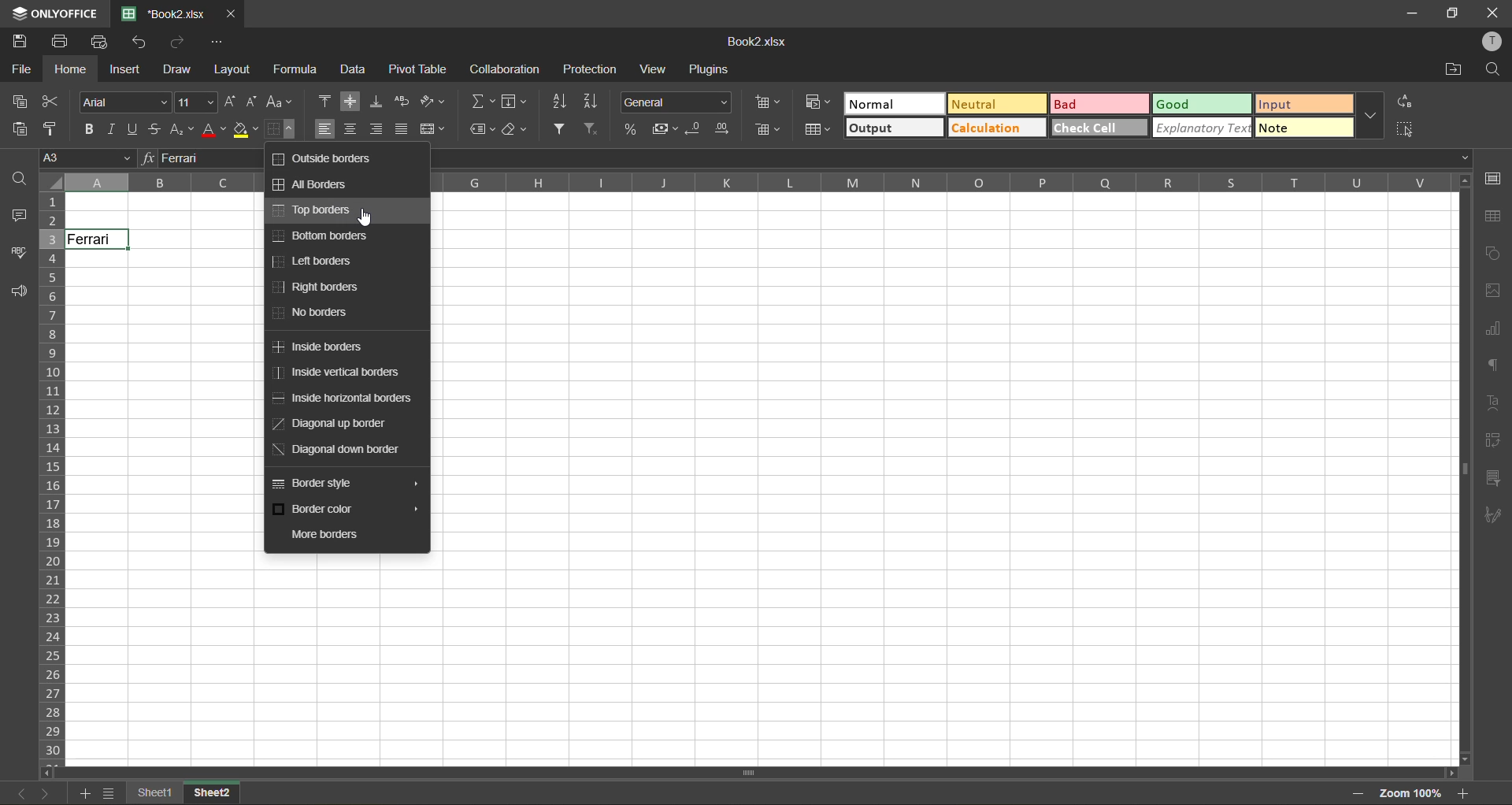  What do you see at coordinates (166, 13) in the screenshot?
I see `*Book2.xlsx` at bounding box center [166, 13].